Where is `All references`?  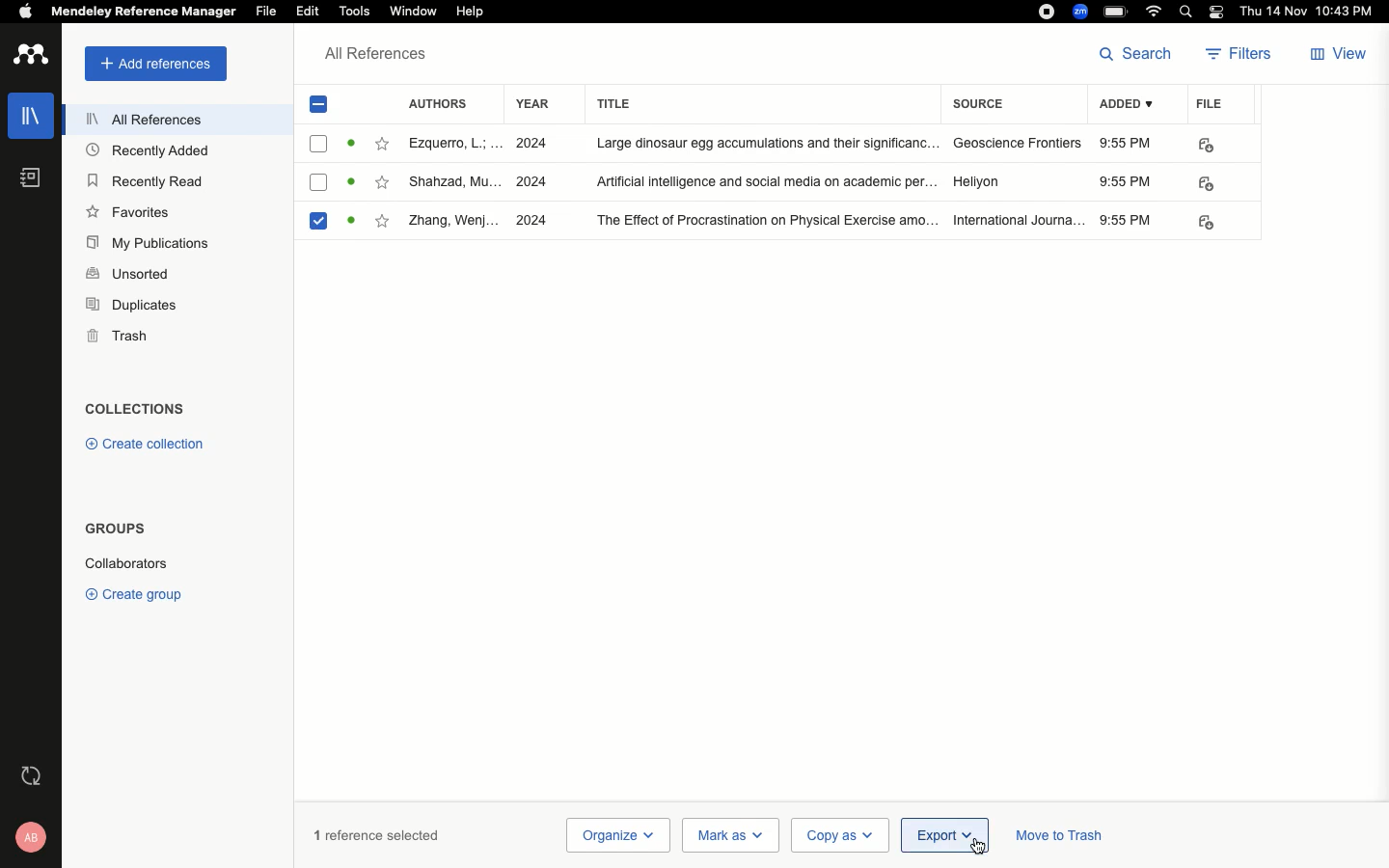
All references is located at coordinates (145, 122).